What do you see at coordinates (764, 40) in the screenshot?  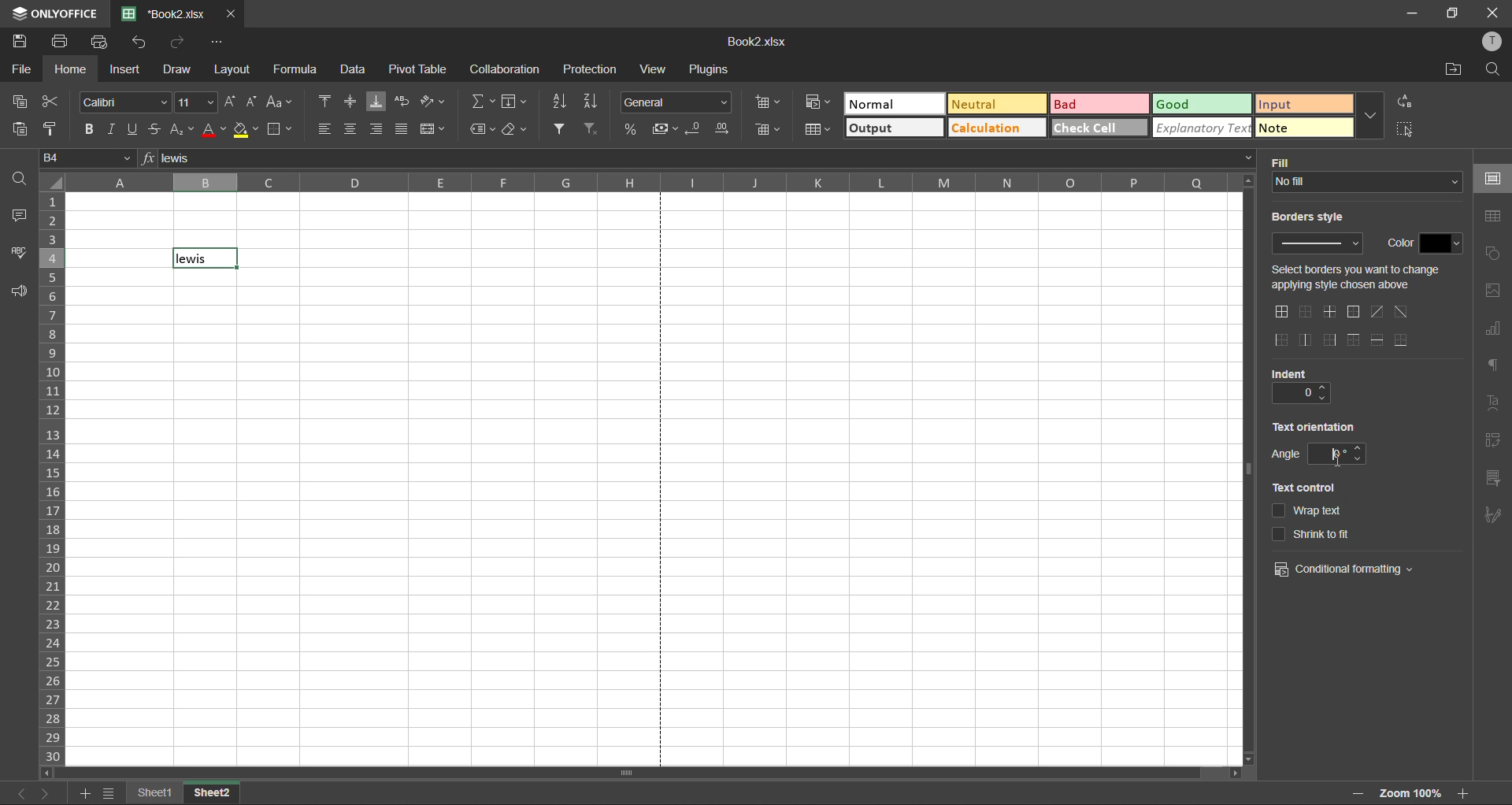 I see `filename` at bounding box center [764, 40].